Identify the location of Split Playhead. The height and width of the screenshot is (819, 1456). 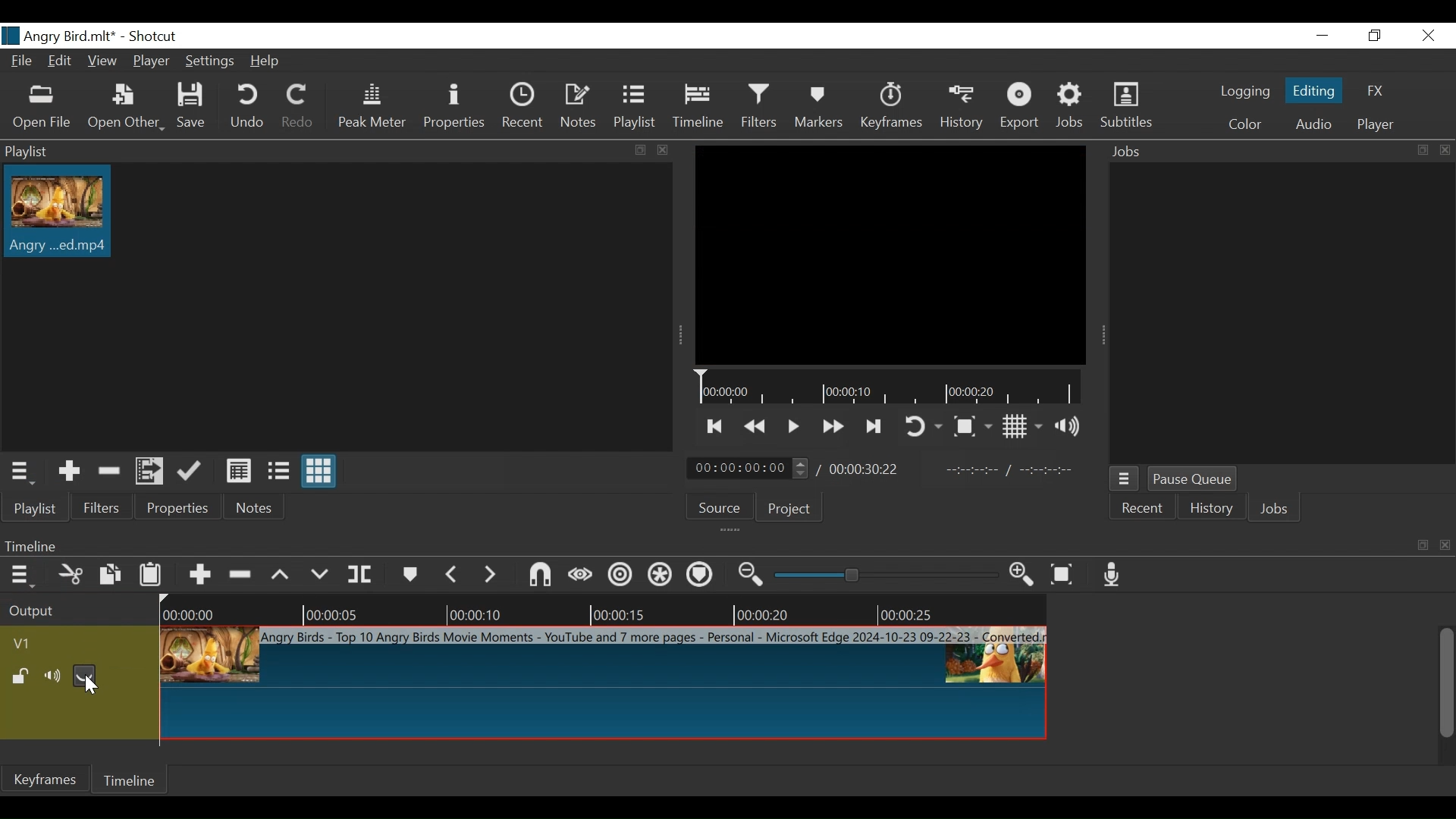
(359, 575).